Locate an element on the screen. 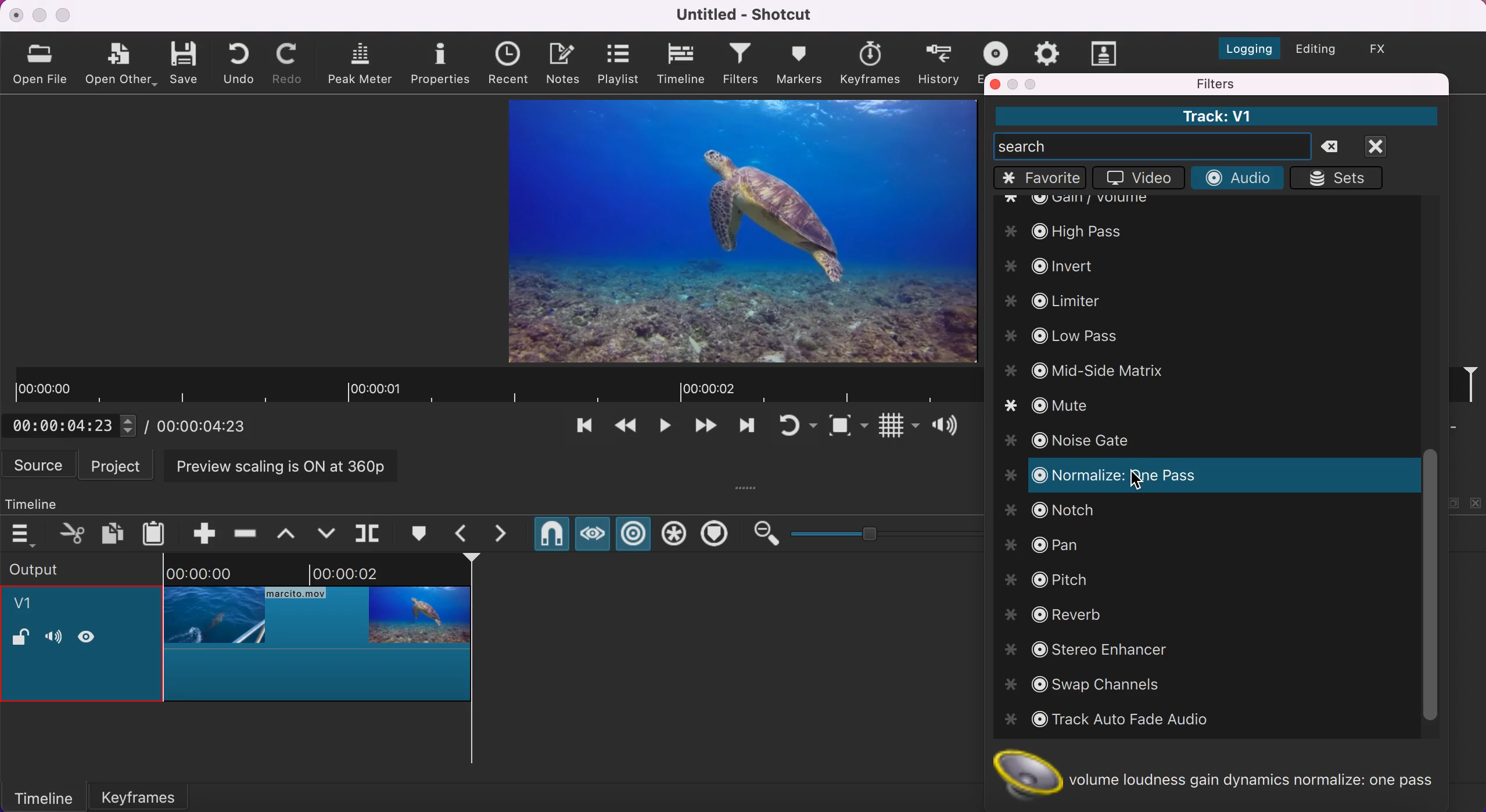  overwrite is located at coordinates (326, 532).